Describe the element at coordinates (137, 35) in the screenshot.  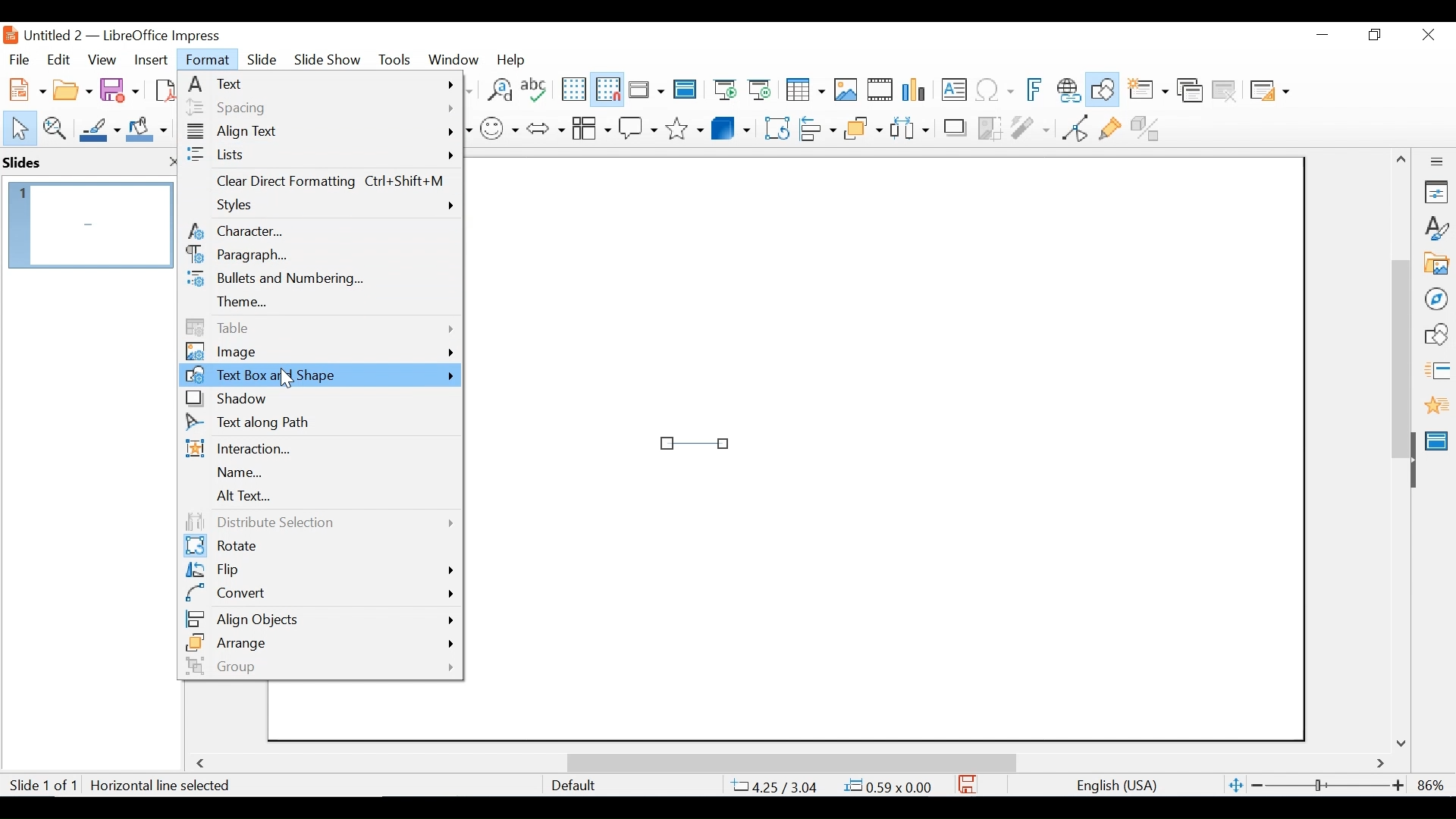
I see `Untitled 2 - LibreOffice Impress` at that location.